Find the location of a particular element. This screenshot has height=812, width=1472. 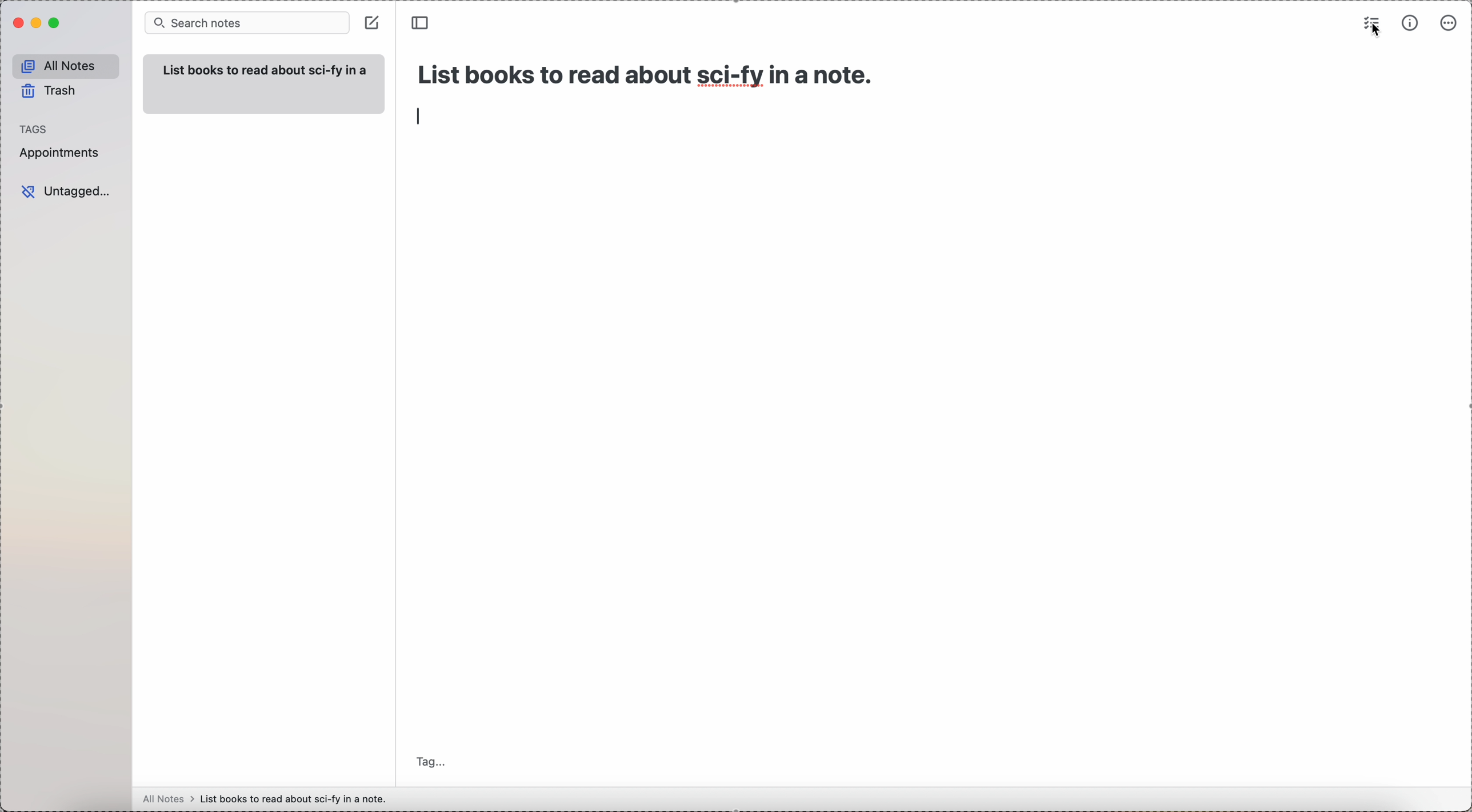

note is located at coordinates (261, 86).